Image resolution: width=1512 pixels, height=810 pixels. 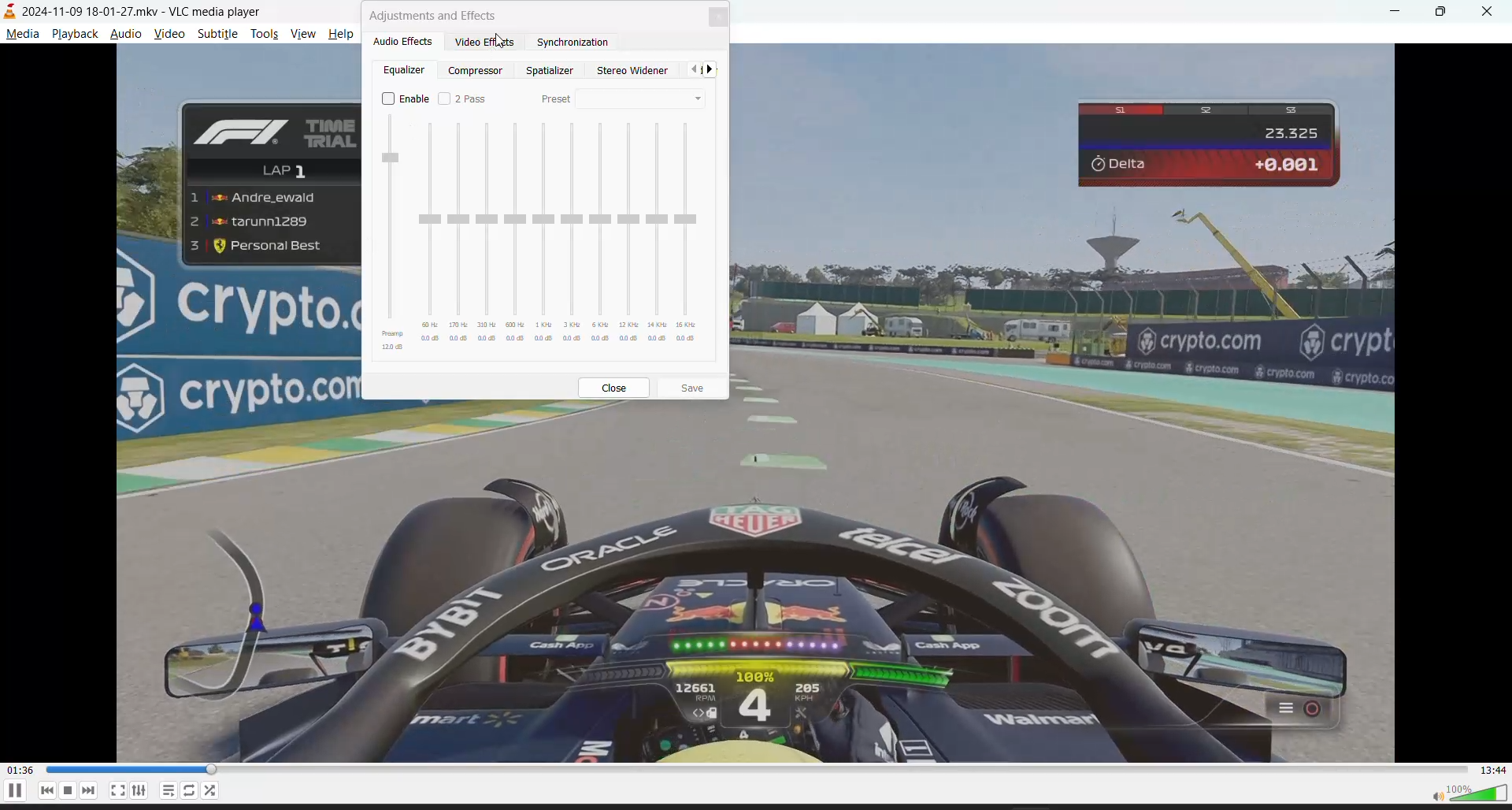 I want to click on video, so click(x=165, y=34).